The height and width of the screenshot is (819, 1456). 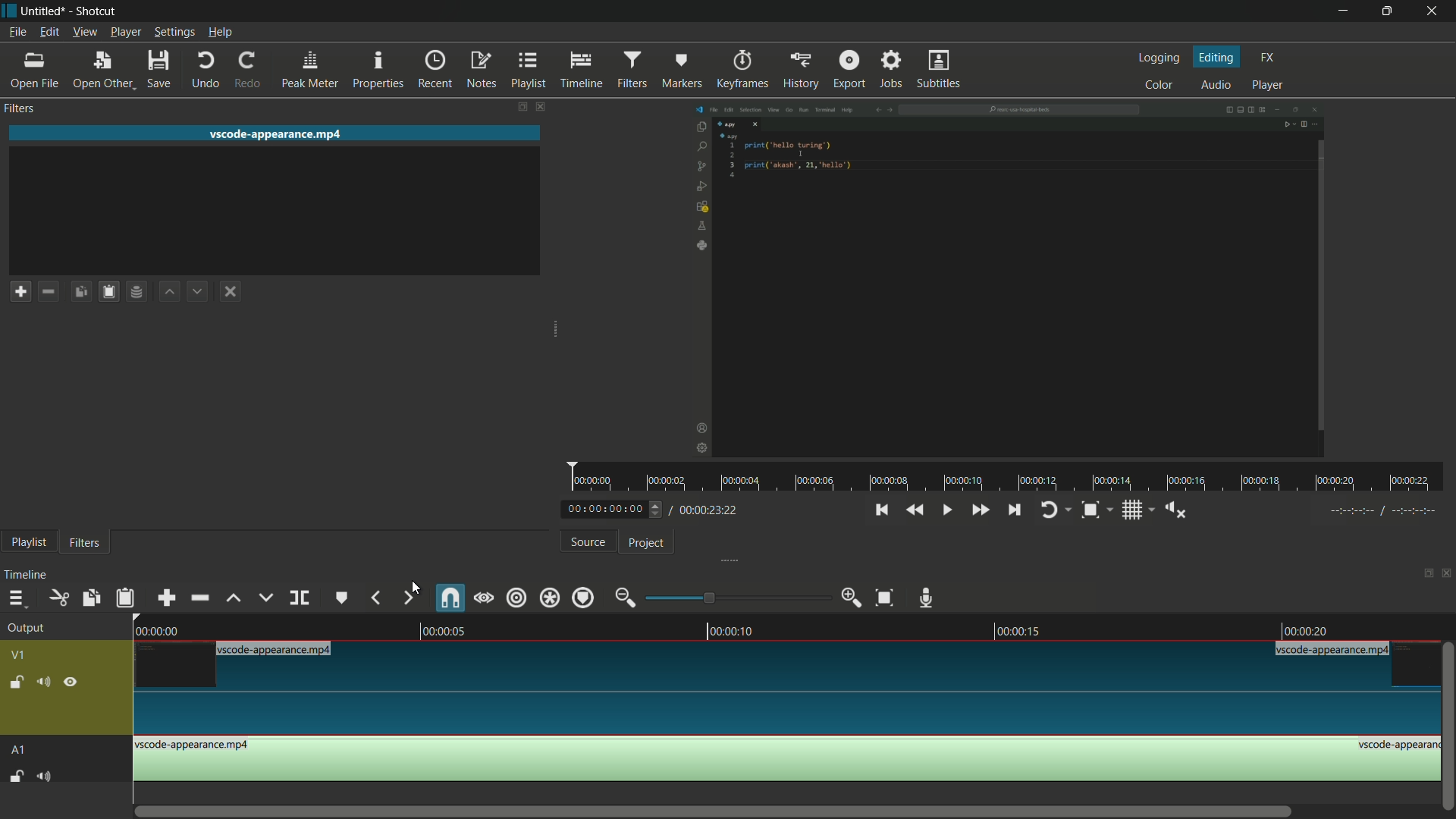 What do you see at coordinates (1172, 511) in the screenshot?
I see `show volume control` at bounding box center [1172, 511].